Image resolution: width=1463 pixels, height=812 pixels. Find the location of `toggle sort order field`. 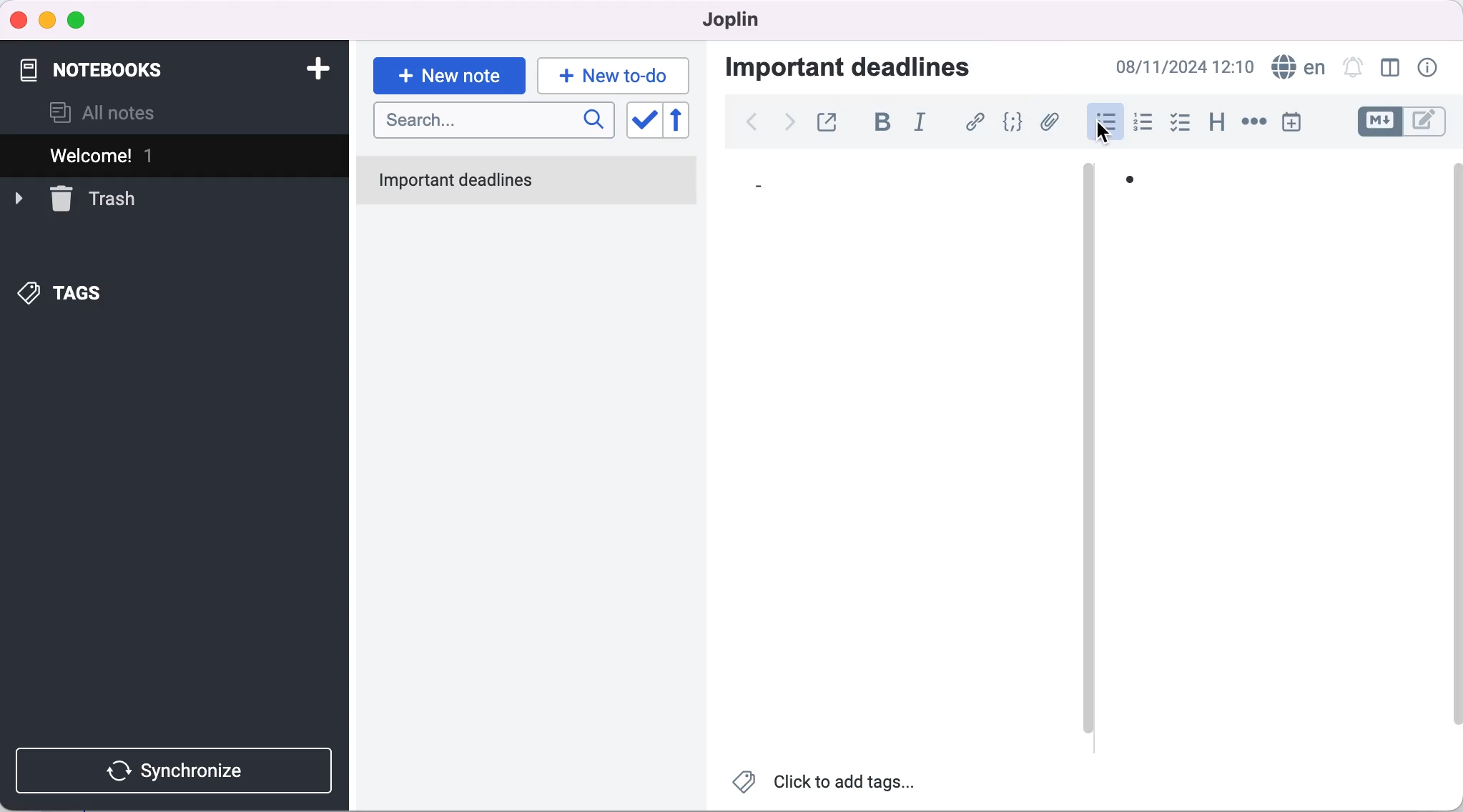

toggle sort order field is located at coordinates (643, 123).